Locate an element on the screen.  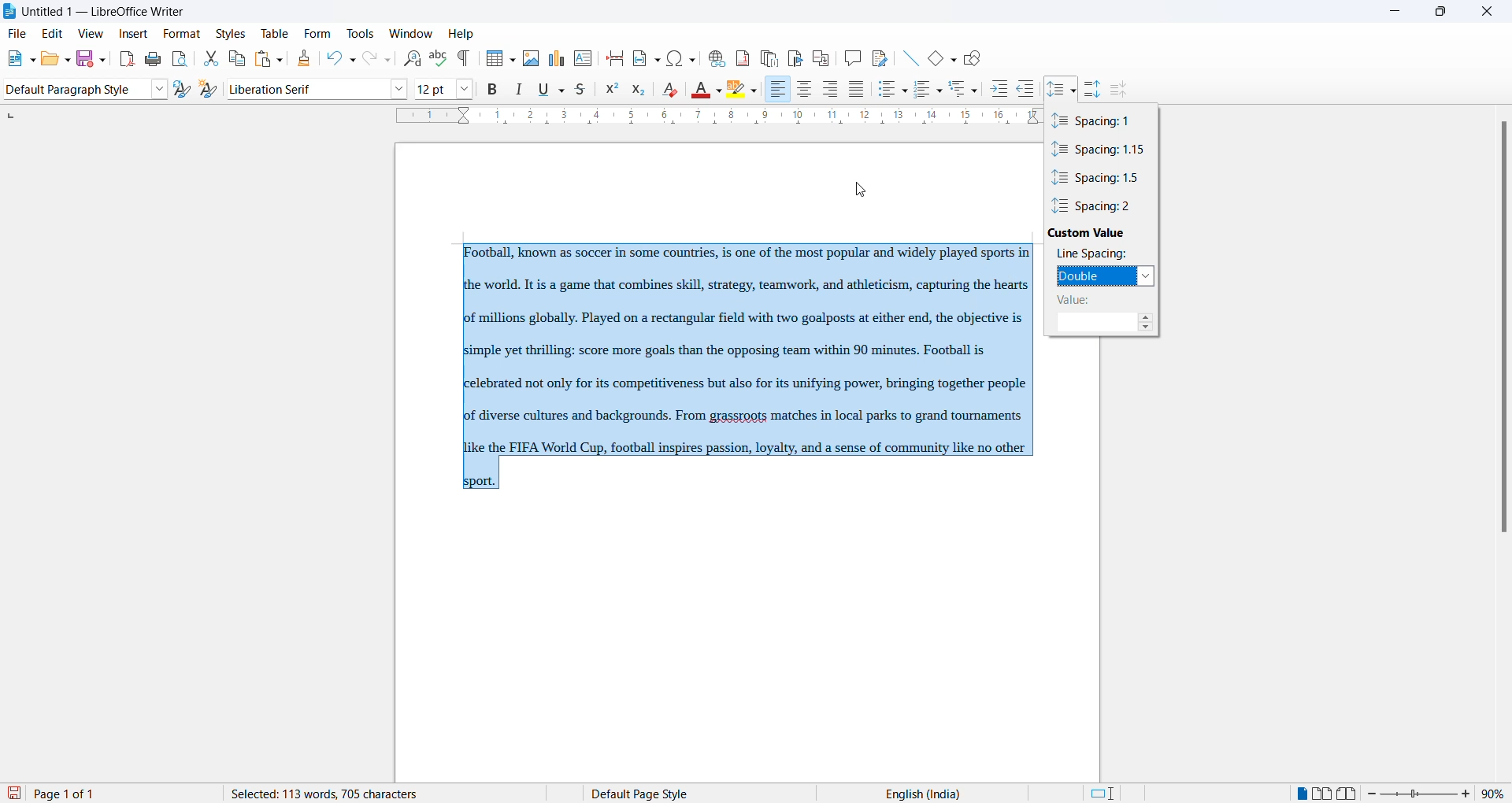
double is located at coordinates (1106, 276).